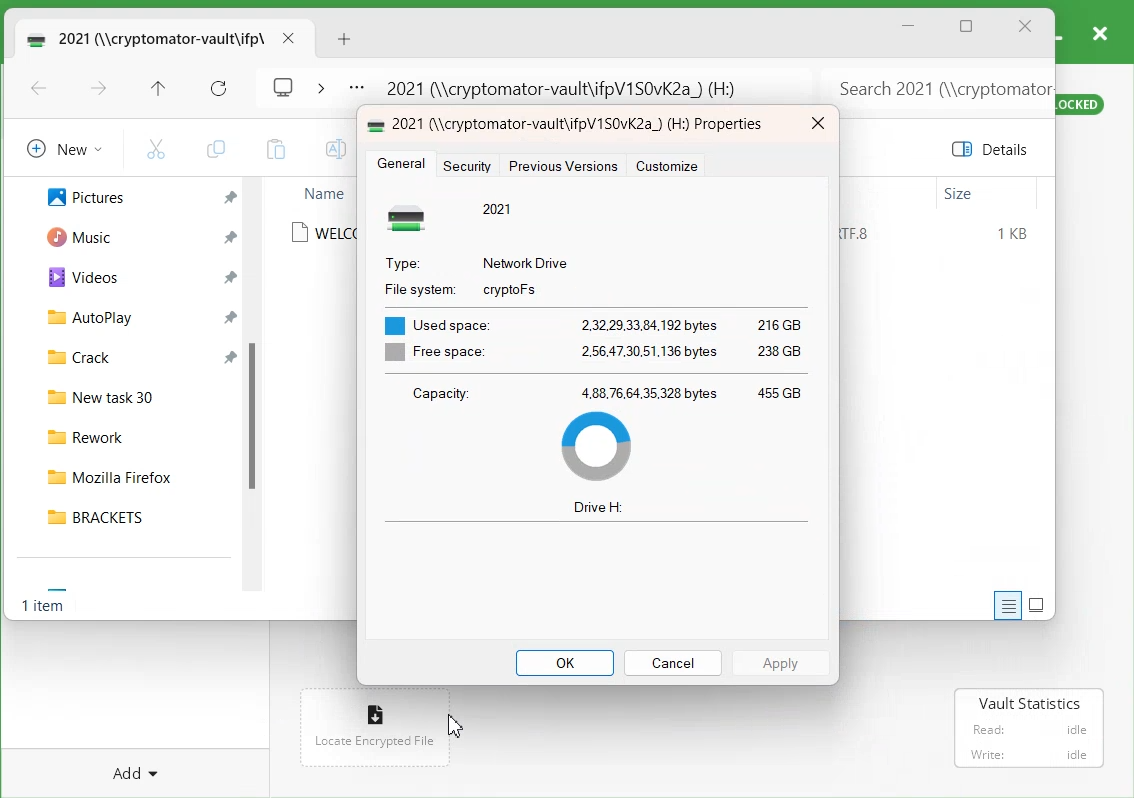  What do you see at coordinates (79, 316) in the screenshot?
I see `AutoPlay` at bounding box center [79, 316].